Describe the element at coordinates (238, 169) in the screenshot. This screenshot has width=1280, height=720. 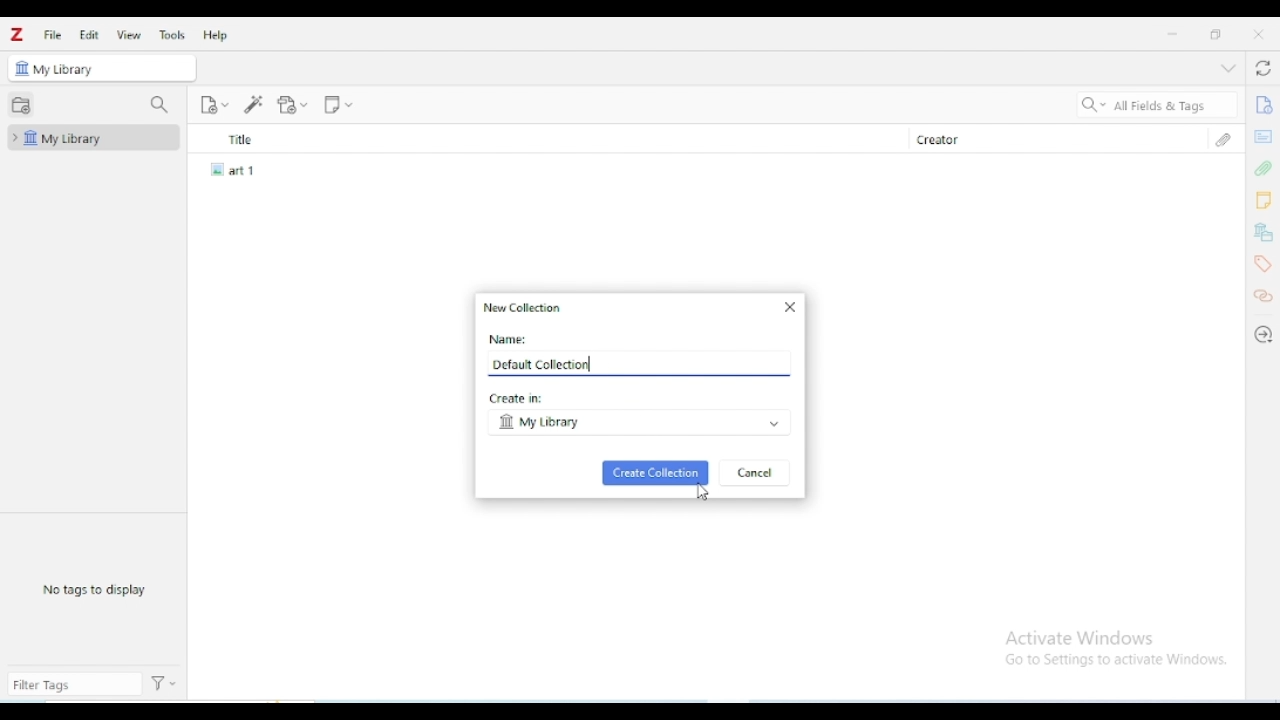
I see `art 1` at that location.